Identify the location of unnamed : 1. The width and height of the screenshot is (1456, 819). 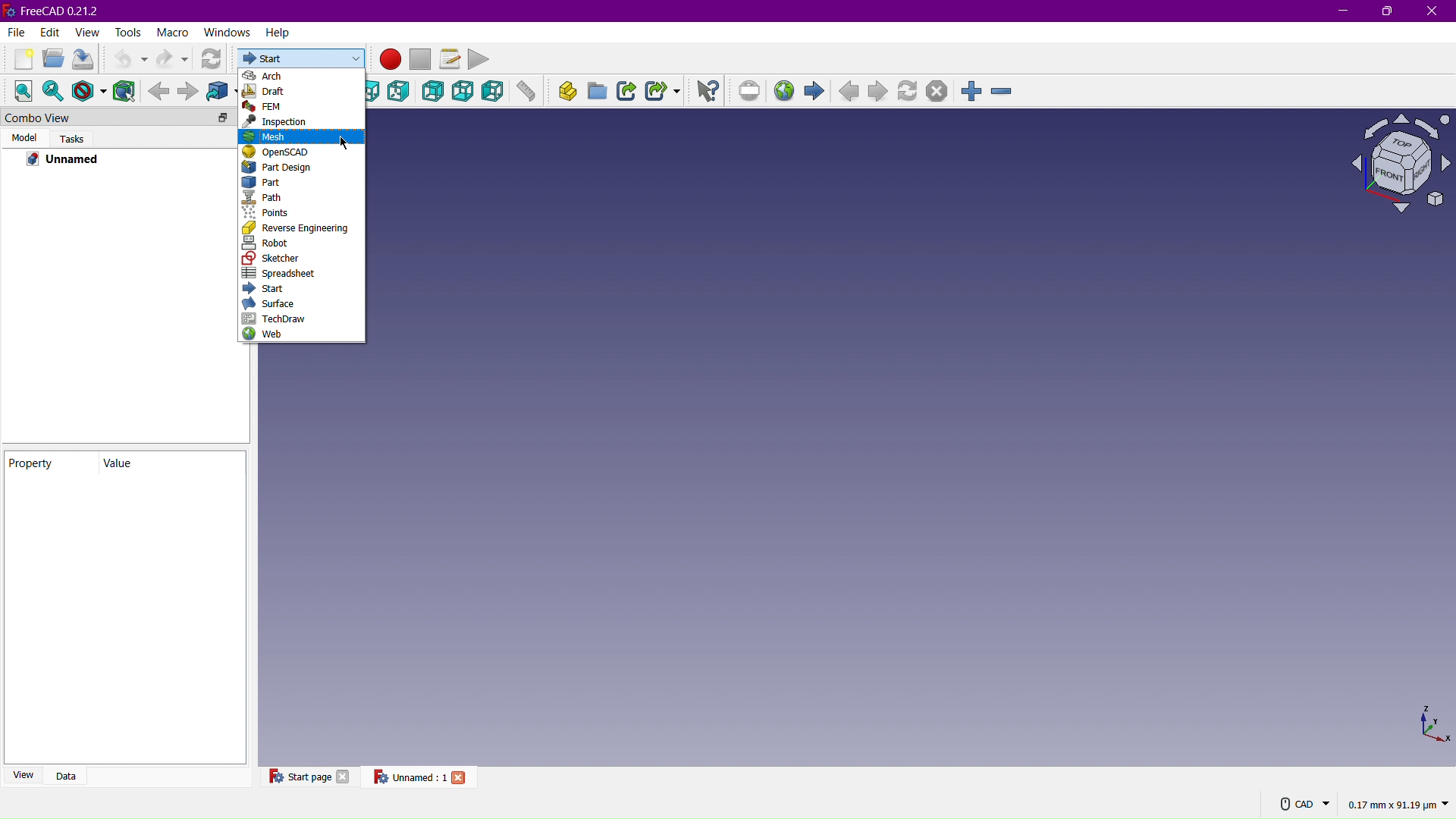
(409, 777).